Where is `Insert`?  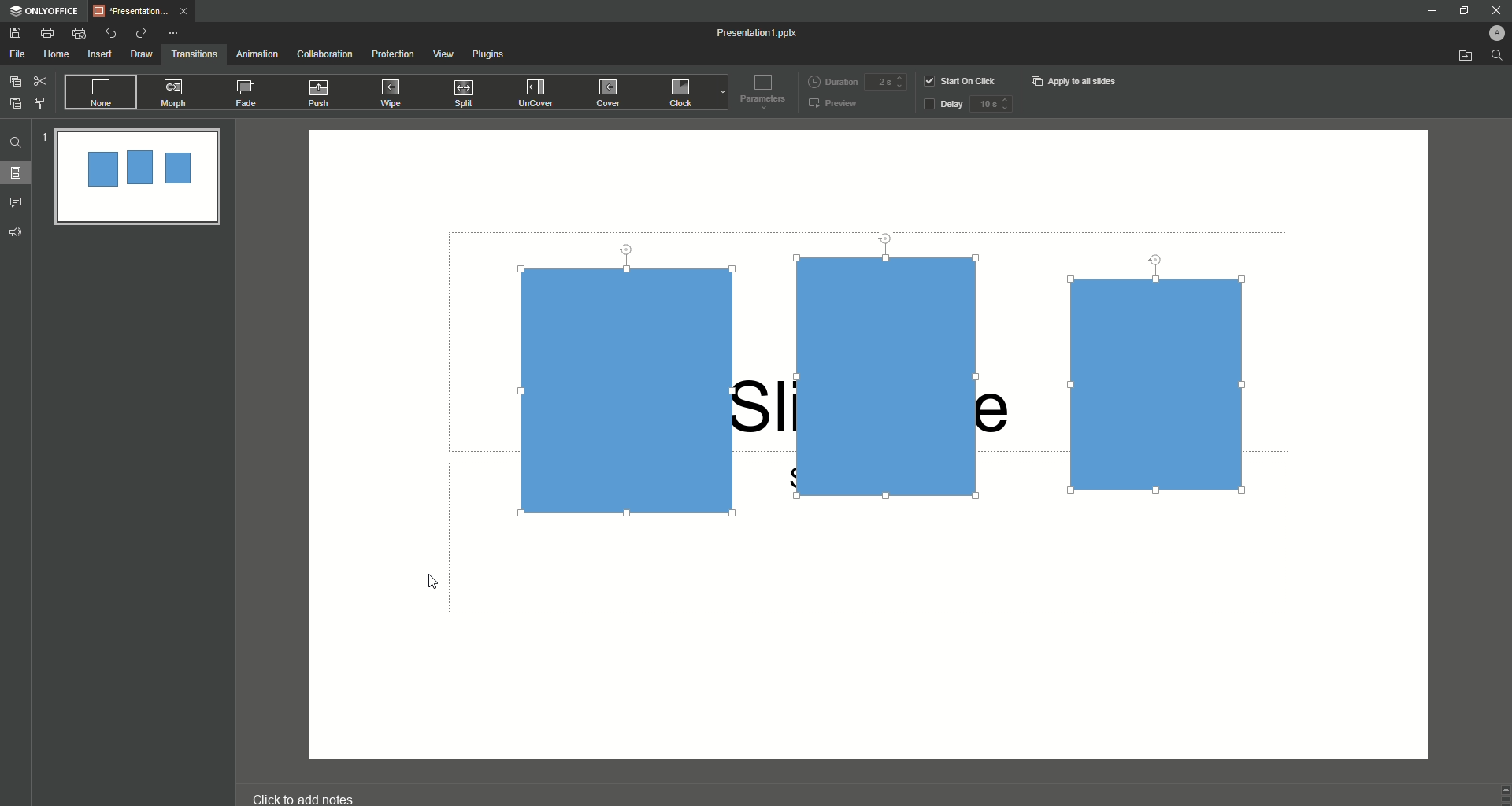
Insert is located at coordinates (99, 55).